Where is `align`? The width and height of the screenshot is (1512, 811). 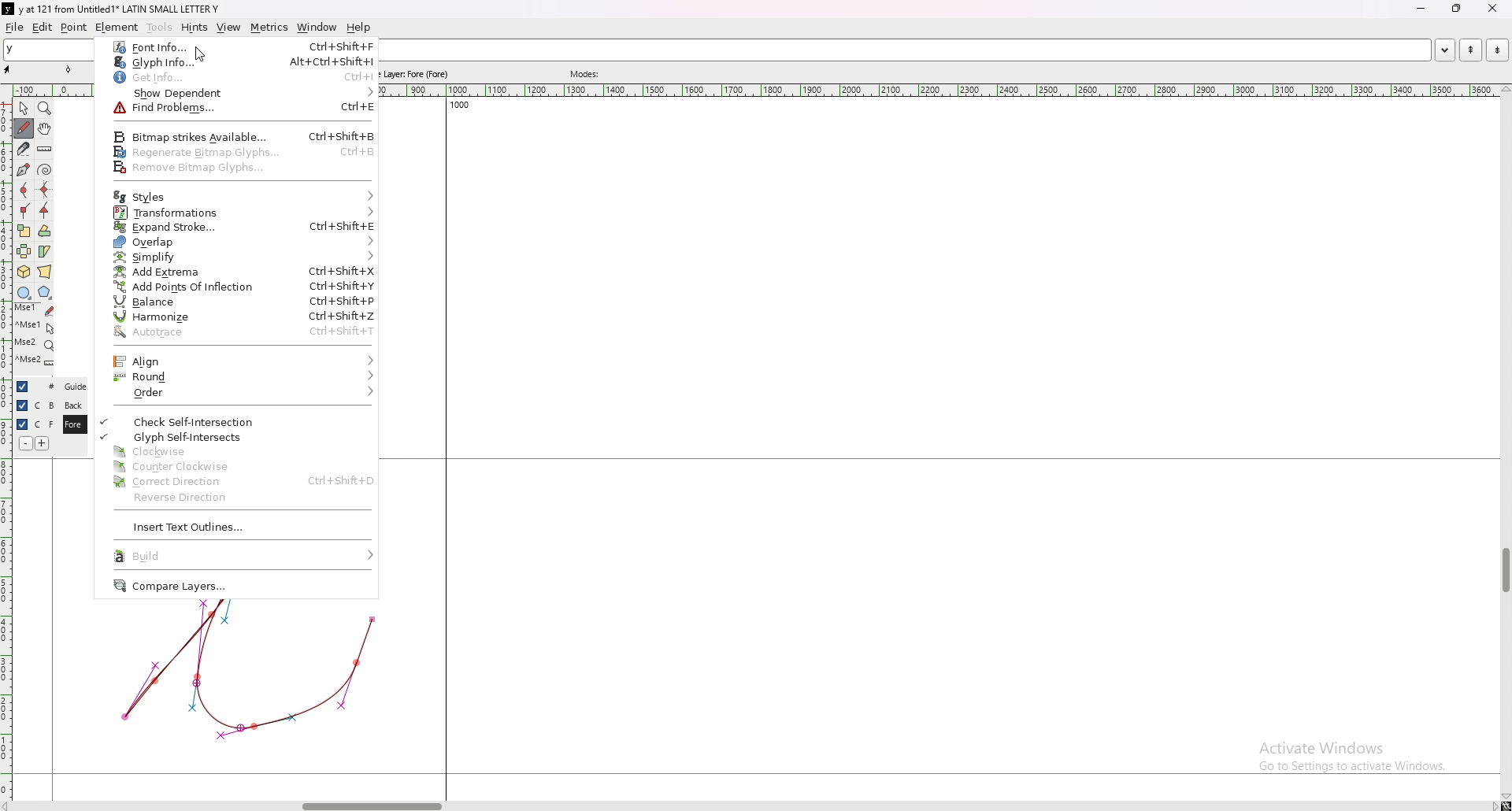
align is located at coordinates (239, 361).